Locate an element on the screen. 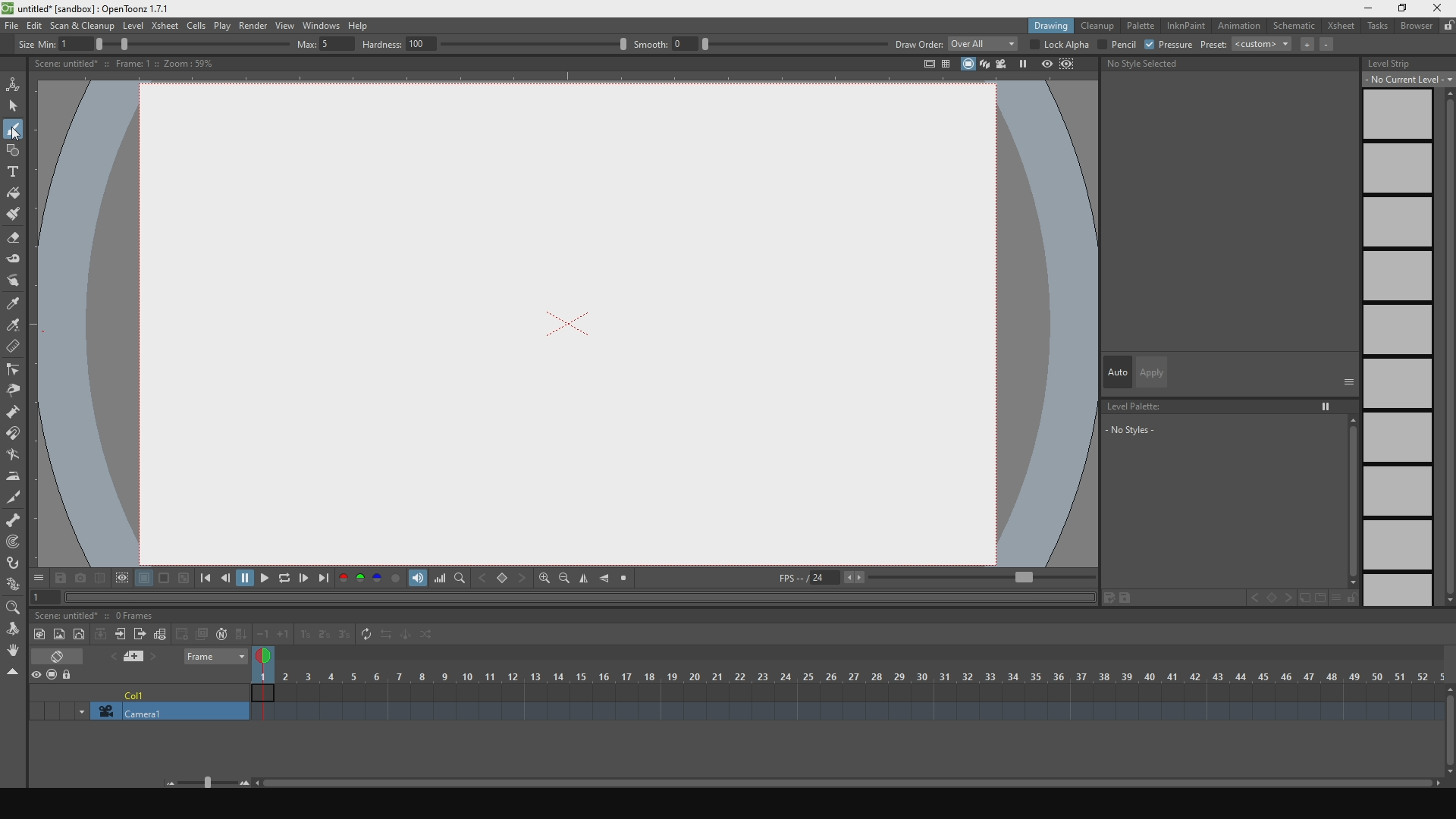 The height and width of the screenshot is (819, 1456). title is located at coordinates (99, 8).